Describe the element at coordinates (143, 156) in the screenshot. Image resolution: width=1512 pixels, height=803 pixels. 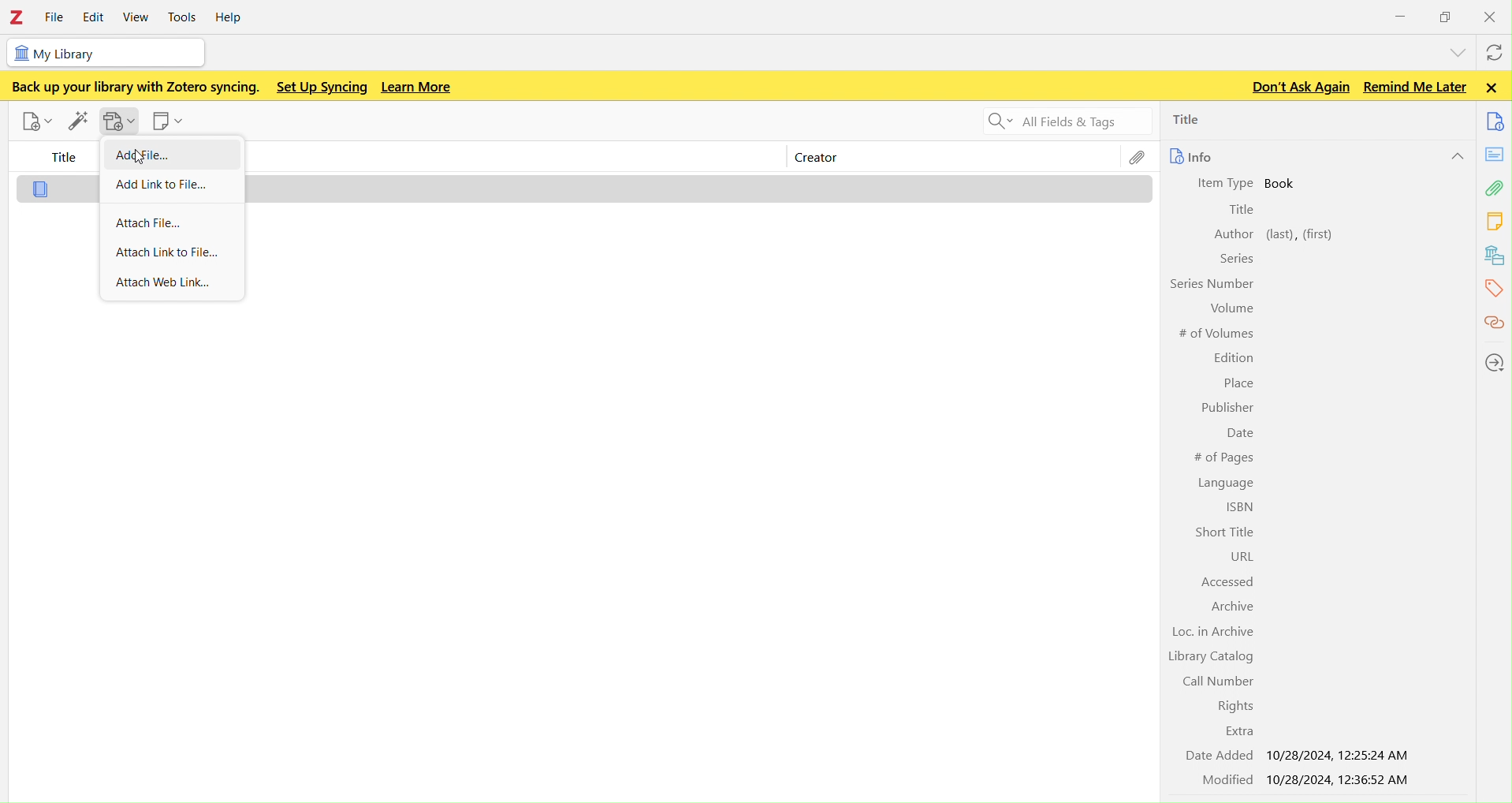
I see `add file` at that location.